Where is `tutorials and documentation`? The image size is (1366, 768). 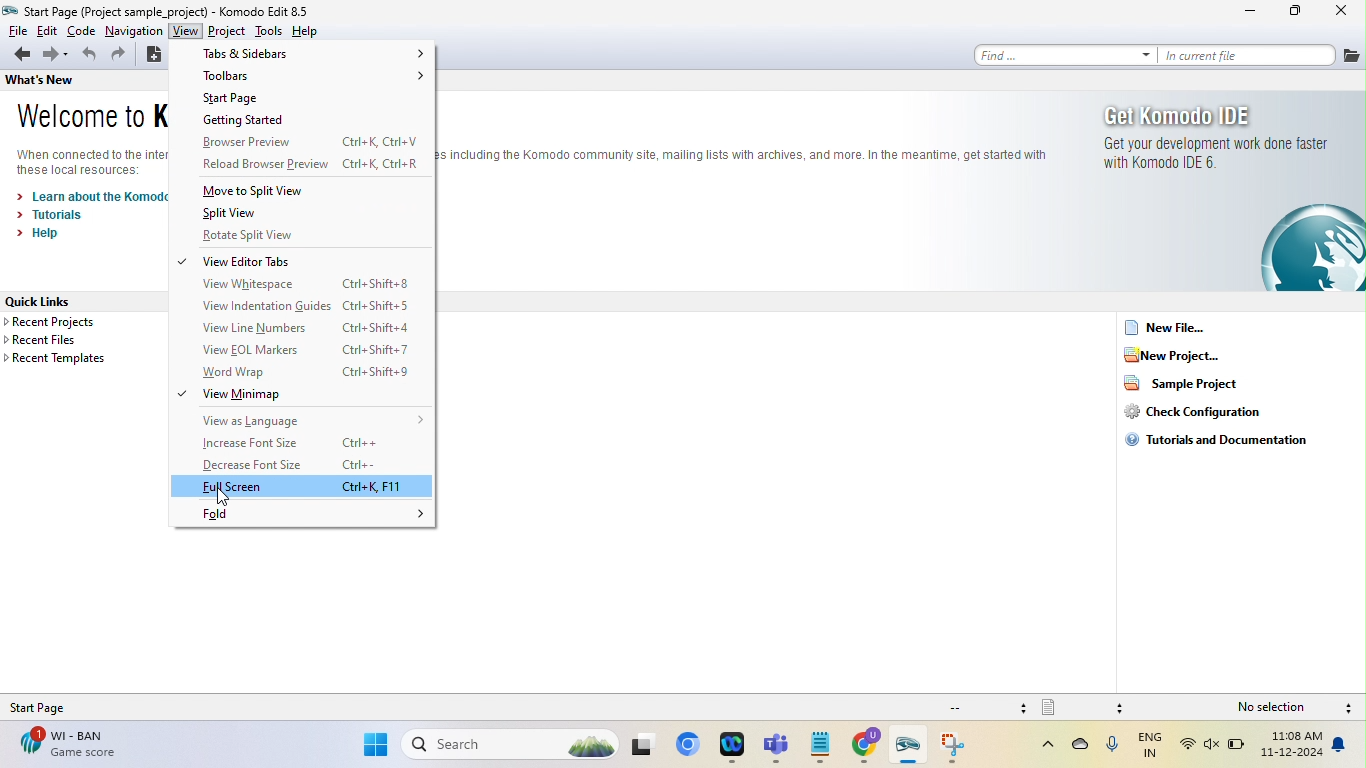 tutorials and documentation is located at coordinates (1215, 441).